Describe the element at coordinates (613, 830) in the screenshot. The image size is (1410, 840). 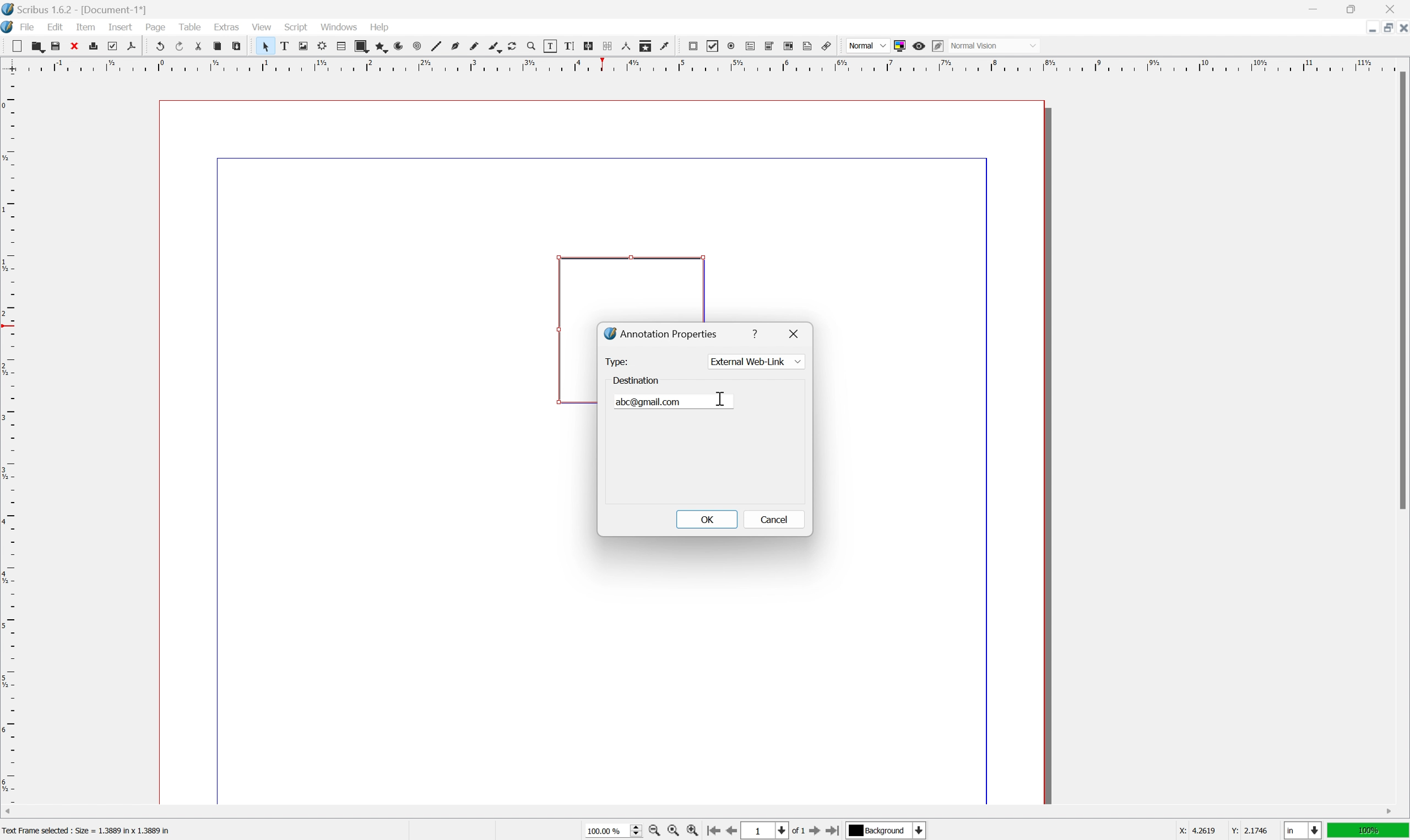
I see `select current zoom level` at that location.